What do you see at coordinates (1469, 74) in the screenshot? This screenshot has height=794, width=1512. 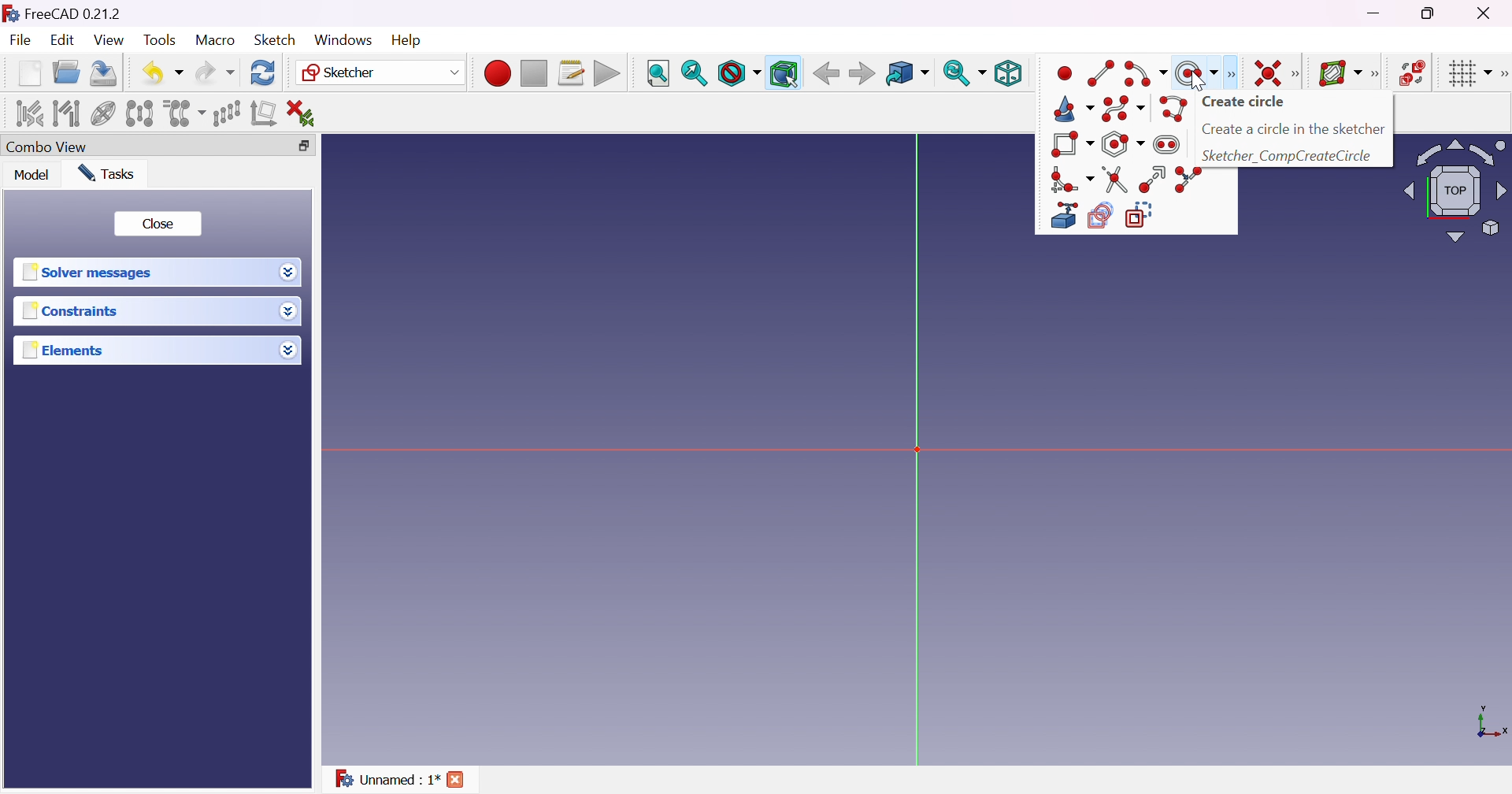 I see `Toggle grid` at bounding box center [1469, 74].